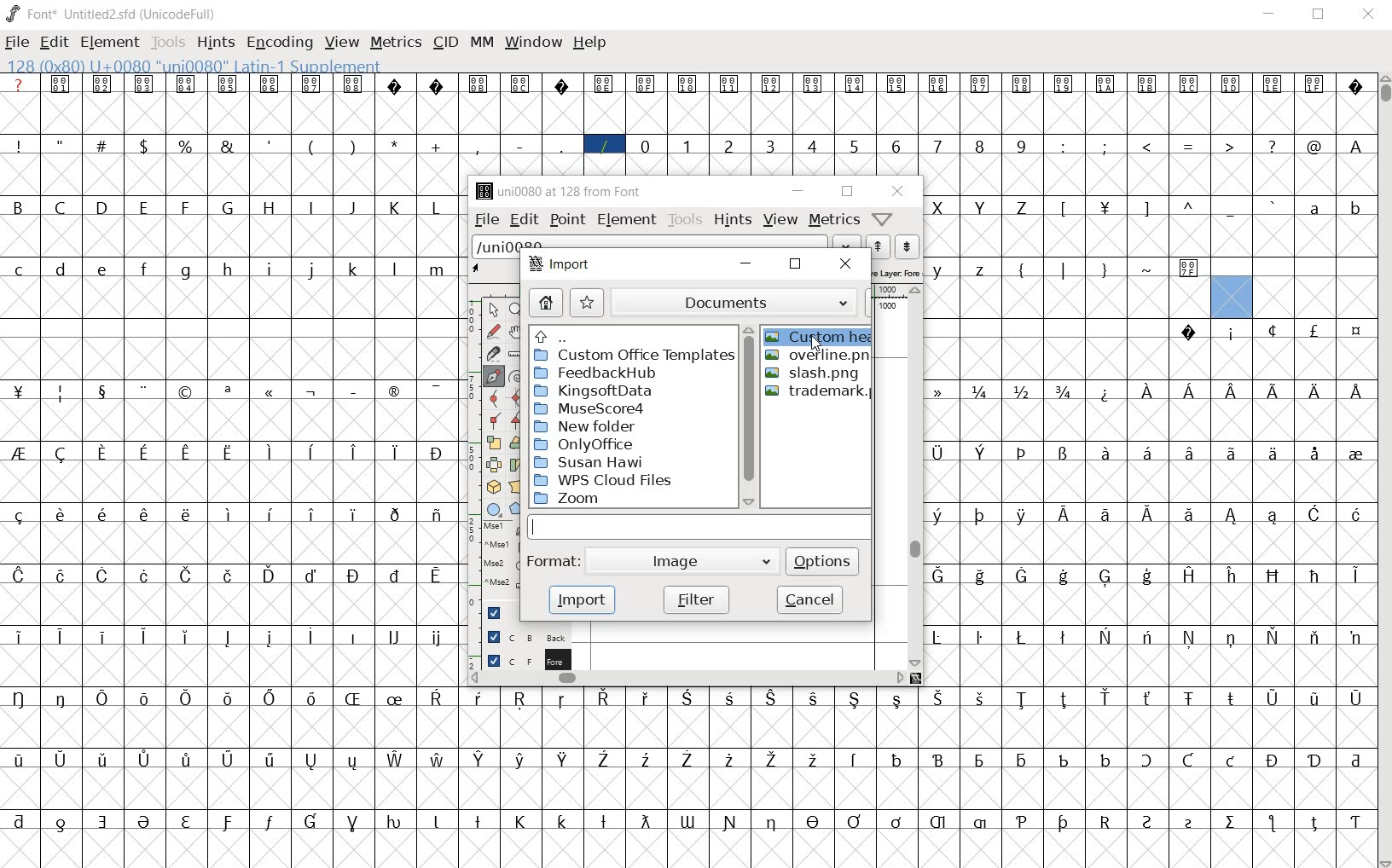 The width and height of the screenshot is (1392, 868). I want to click on glyph, so click(1317, 392).